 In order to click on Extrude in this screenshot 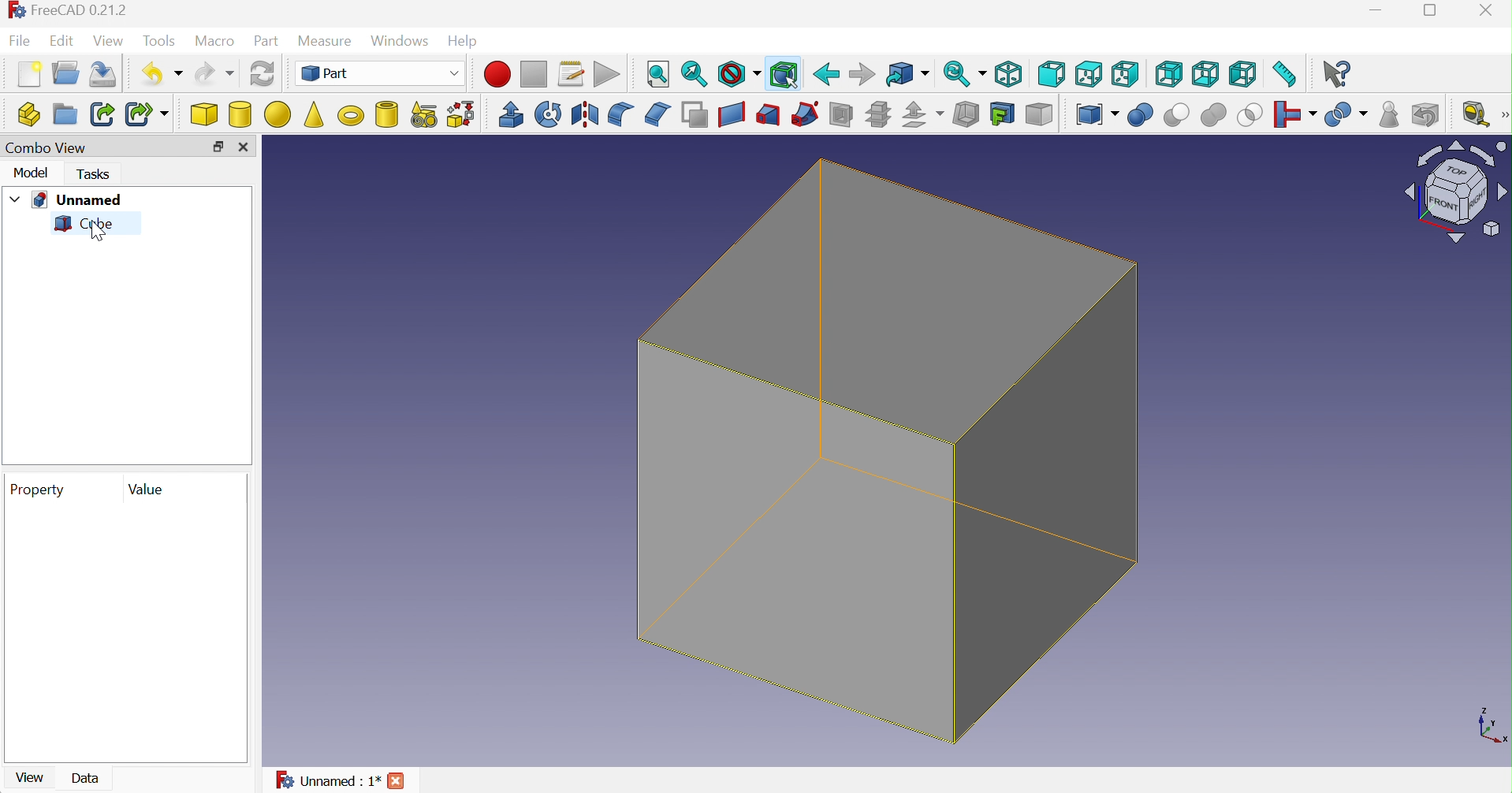, I will do `click(510, 116)`.